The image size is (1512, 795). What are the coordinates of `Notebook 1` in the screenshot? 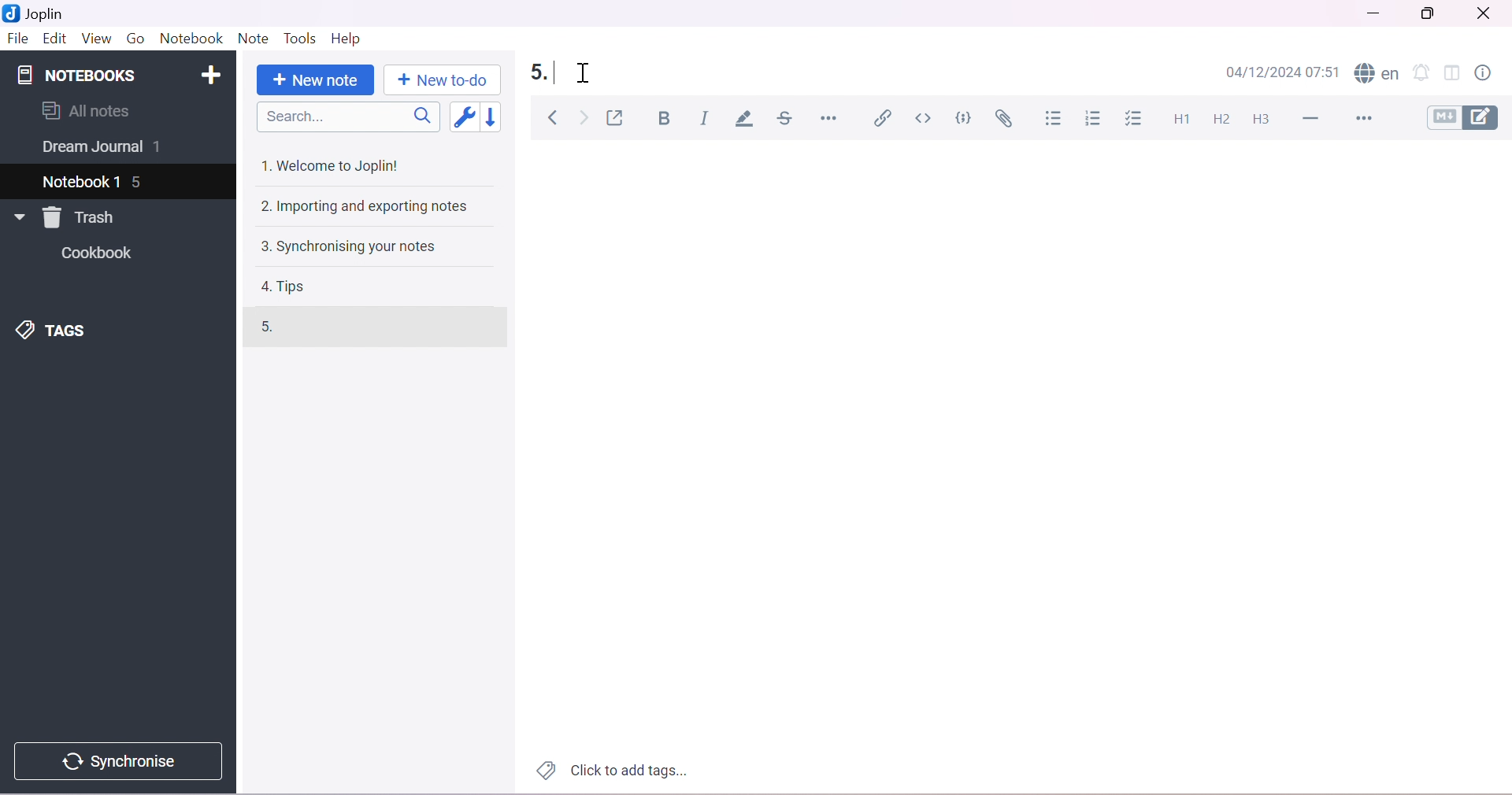 It's located at (83, 179).